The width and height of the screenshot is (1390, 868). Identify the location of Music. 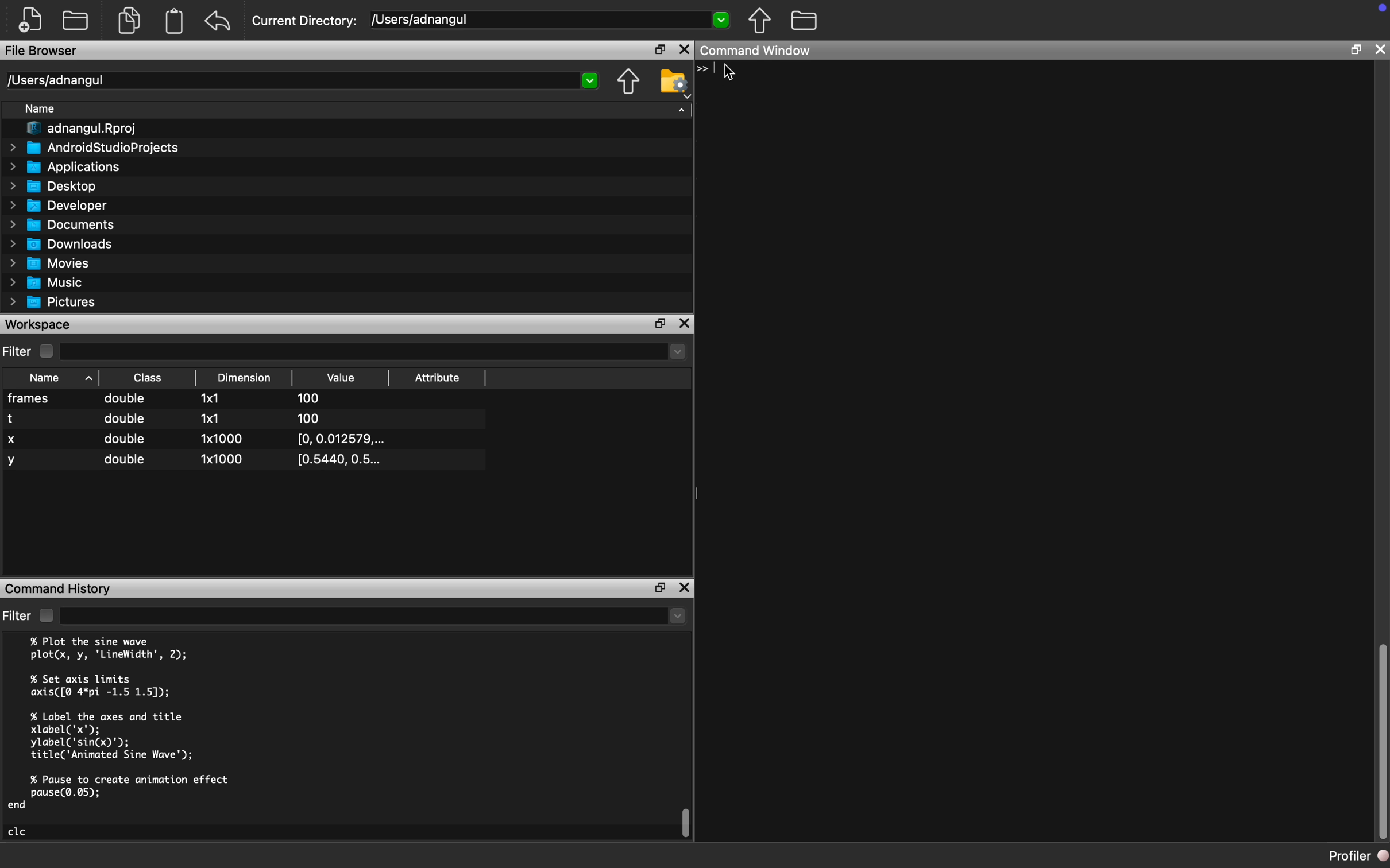
(45, 282).